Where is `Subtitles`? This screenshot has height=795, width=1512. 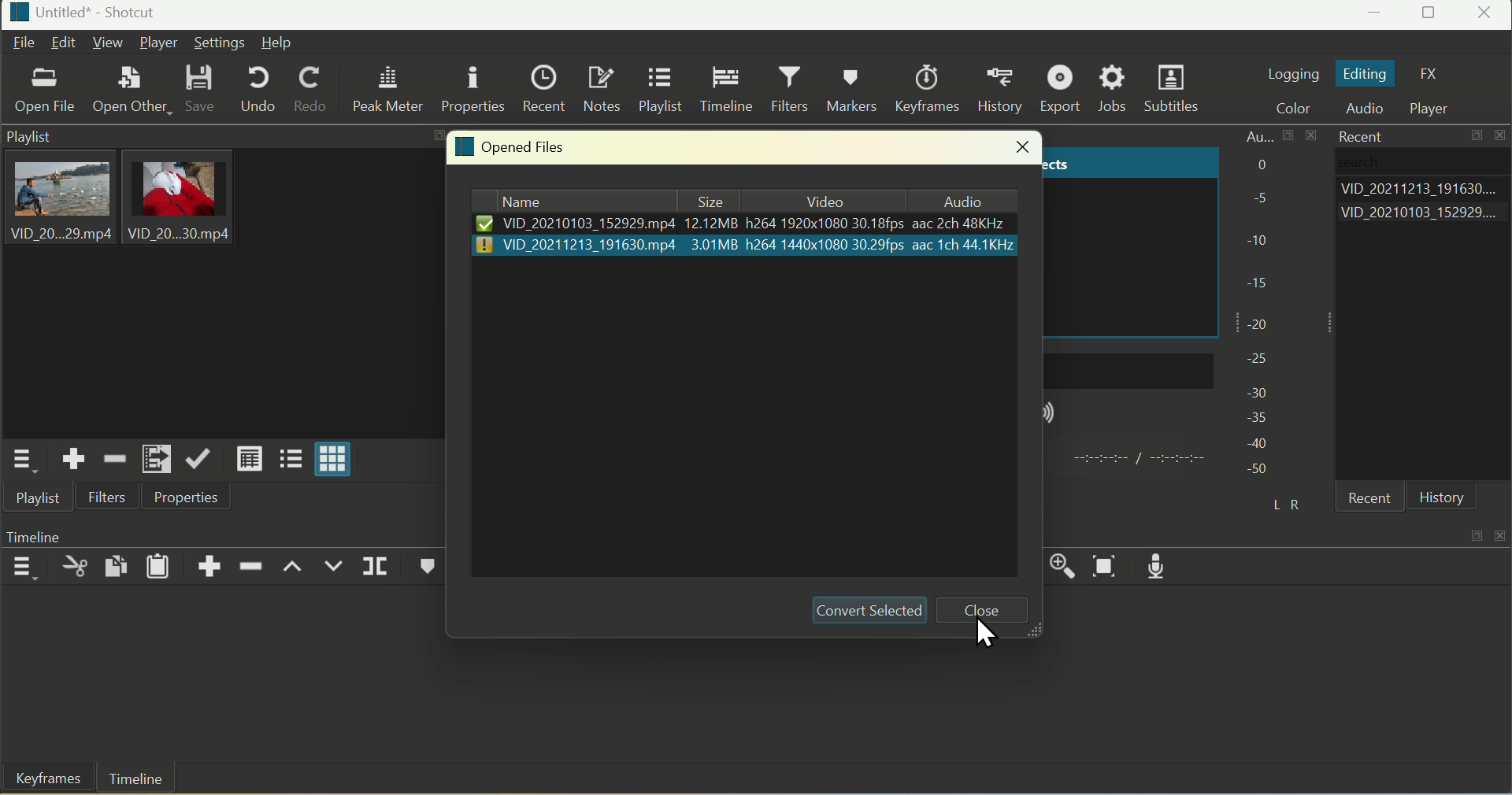
Subtitles is located at coordinates (1175, 91).